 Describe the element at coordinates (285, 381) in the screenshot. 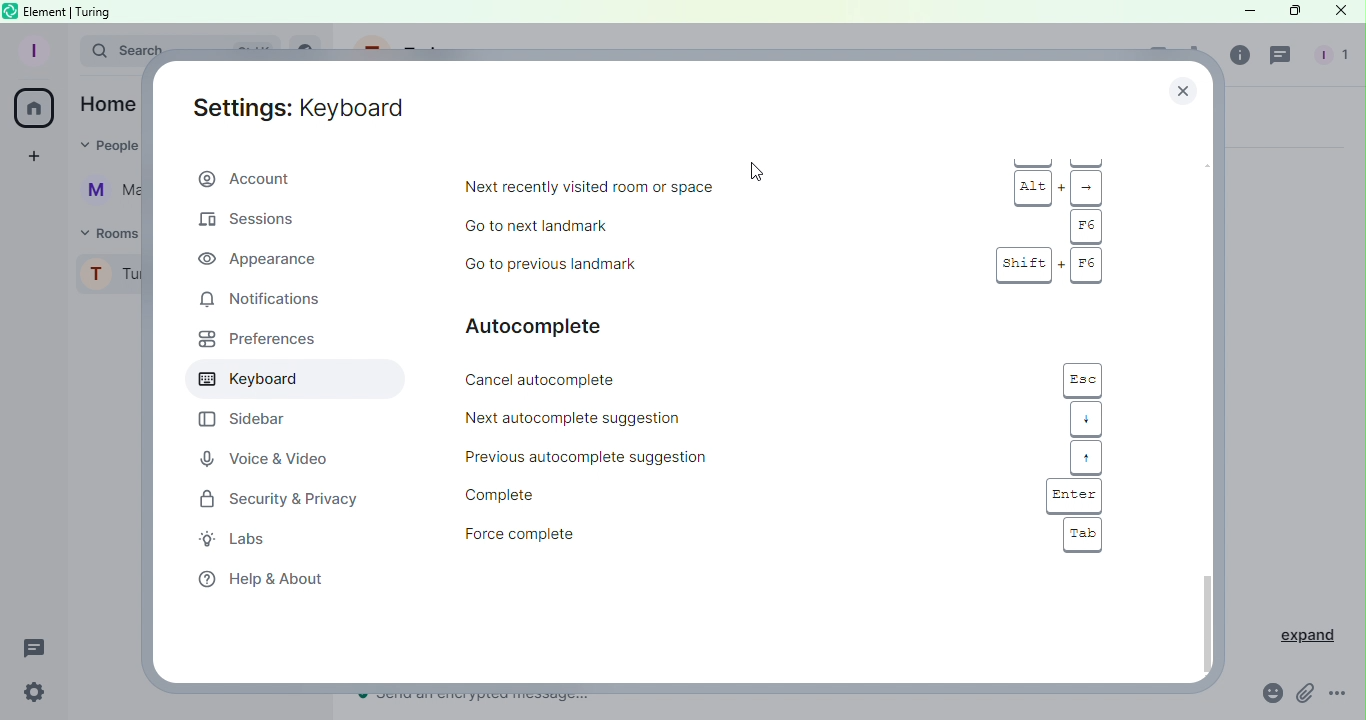

I see `Keyboard` at that location.